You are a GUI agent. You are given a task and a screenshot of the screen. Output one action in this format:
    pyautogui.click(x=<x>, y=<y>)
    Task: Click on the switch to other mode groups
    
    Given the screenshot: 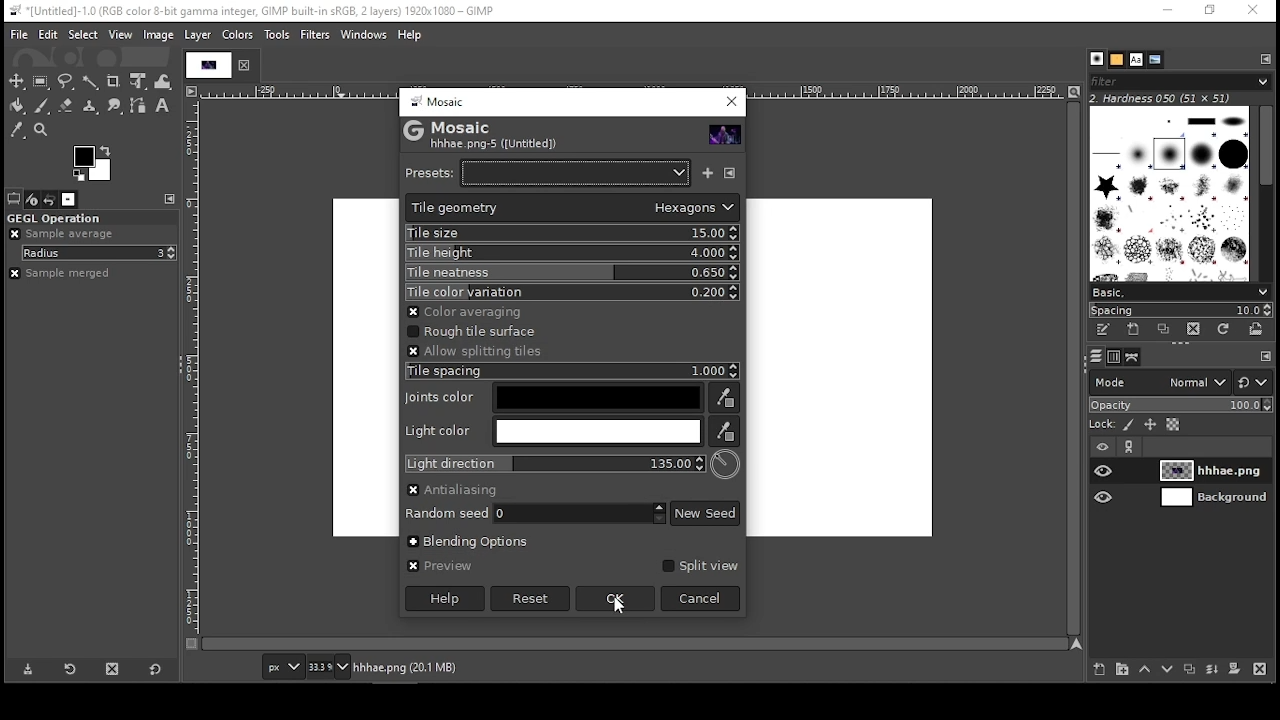 What is the action you would take?
    pyautogui.click(x=1254, y=383)
    